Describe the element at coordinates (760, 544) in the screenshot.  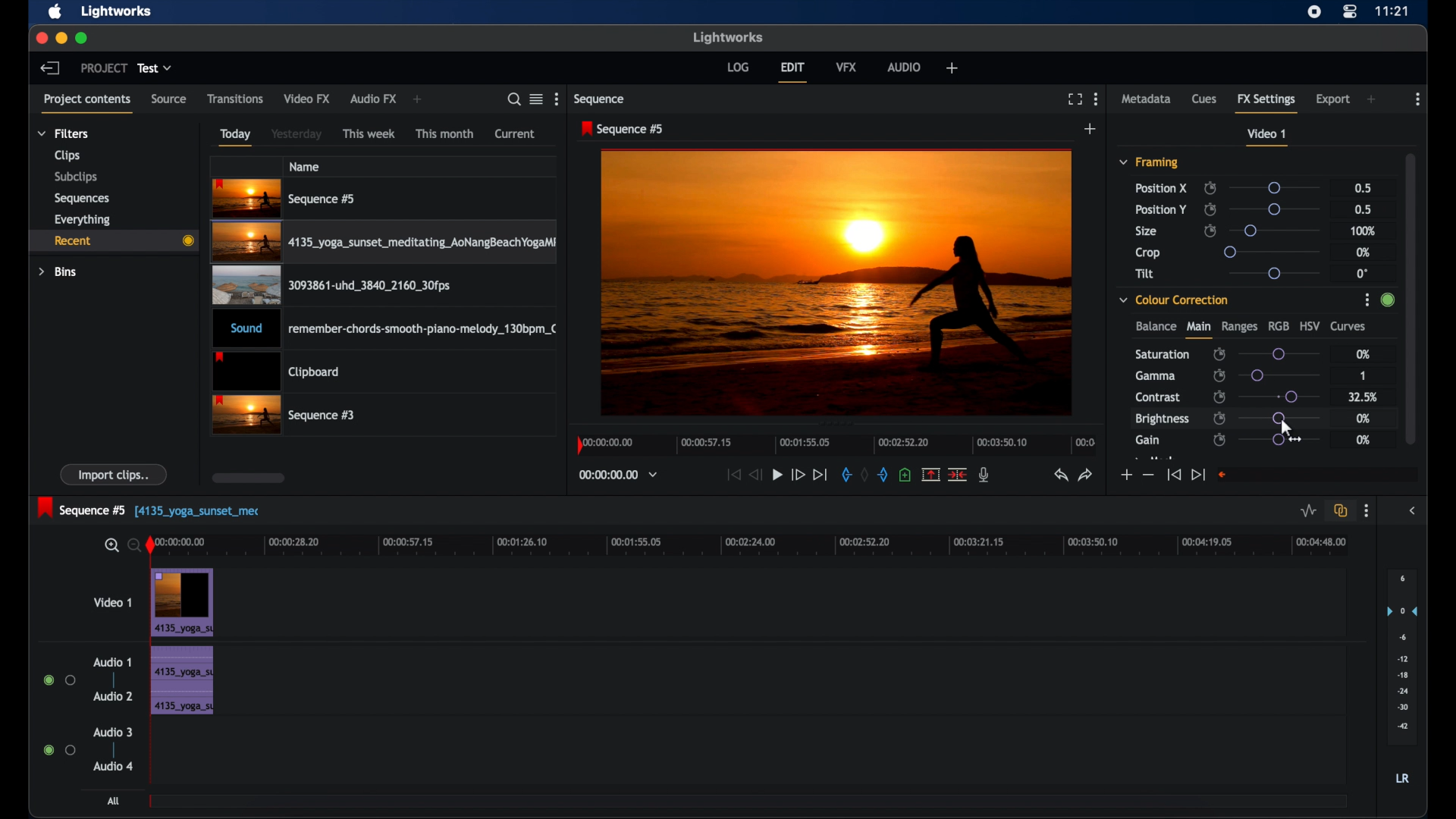
I see `timeline scale` at that location.